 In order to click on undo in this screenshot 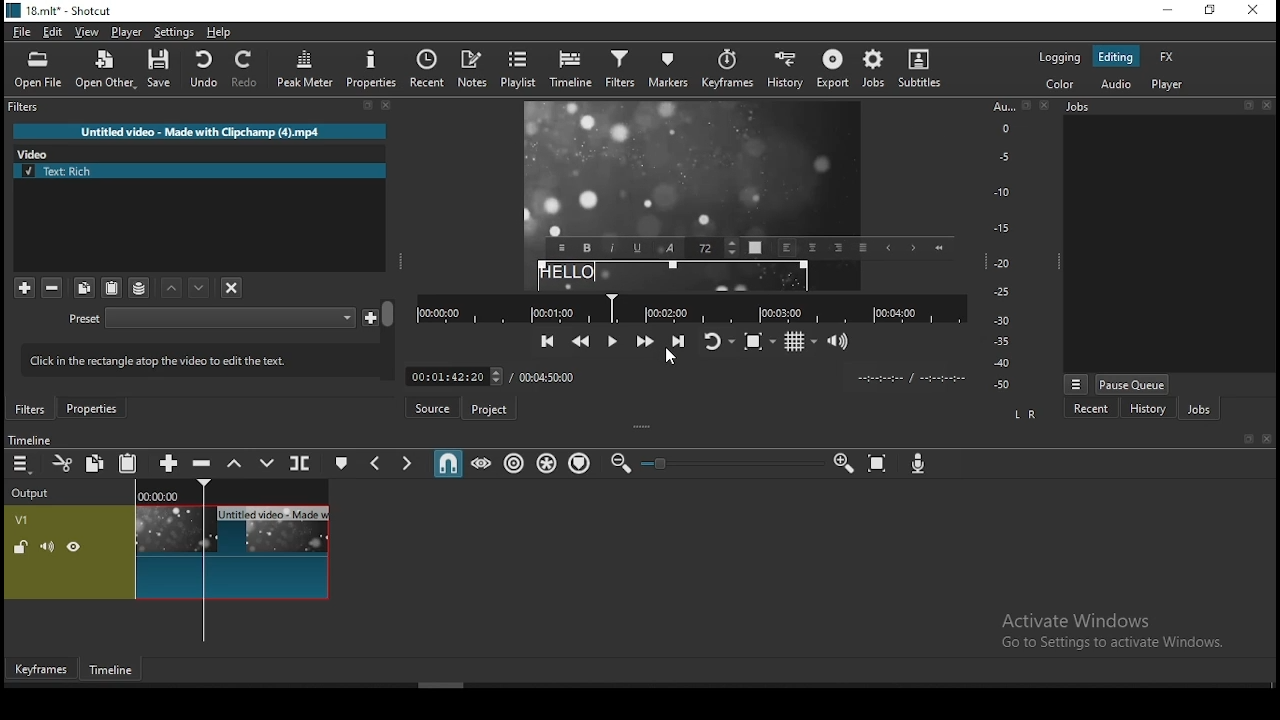, I will do `click(203, 69)`.